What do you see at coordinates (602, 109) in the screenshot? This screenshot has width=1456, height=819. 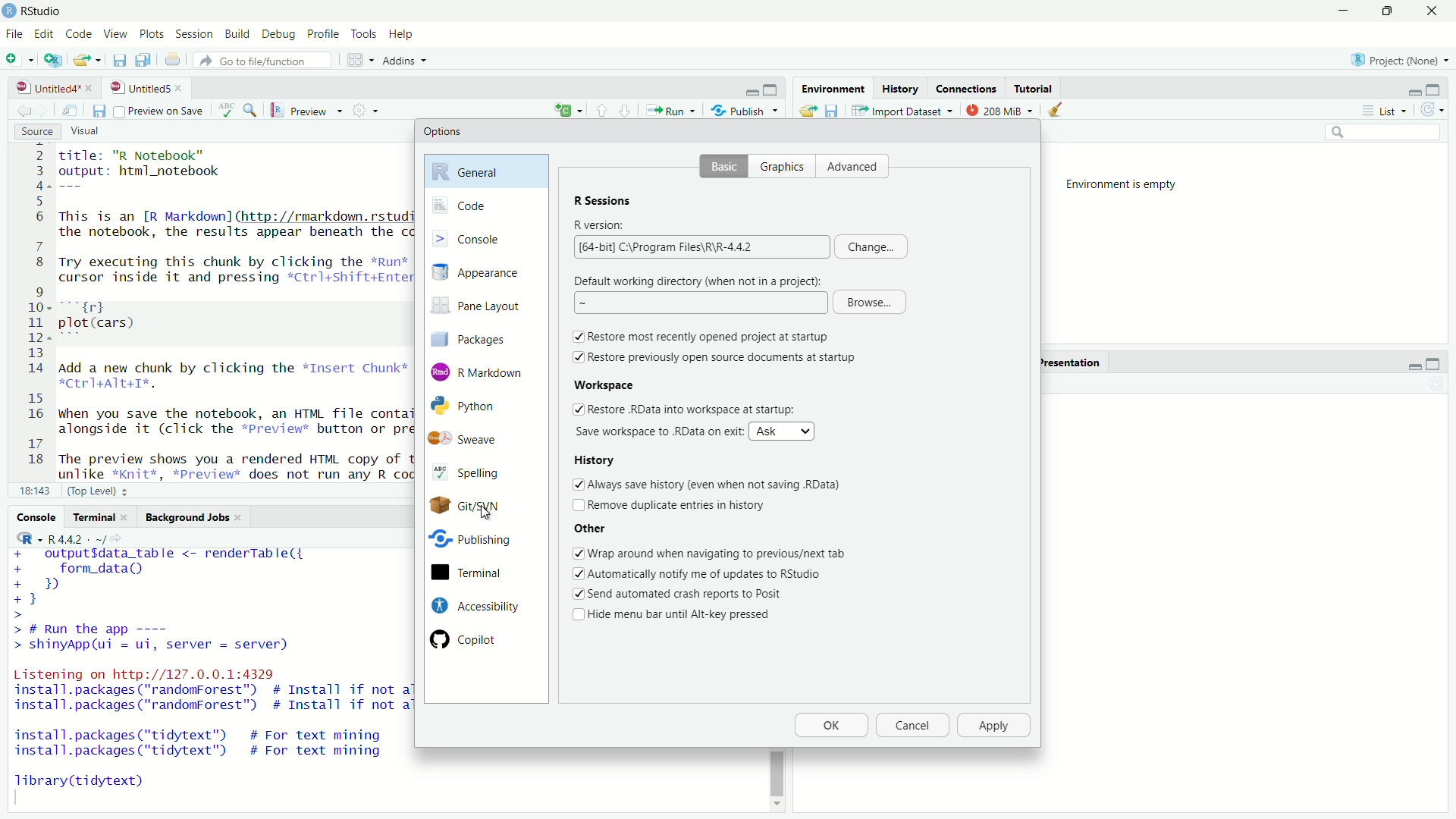 I see `down` at bounding box center [602, 109].